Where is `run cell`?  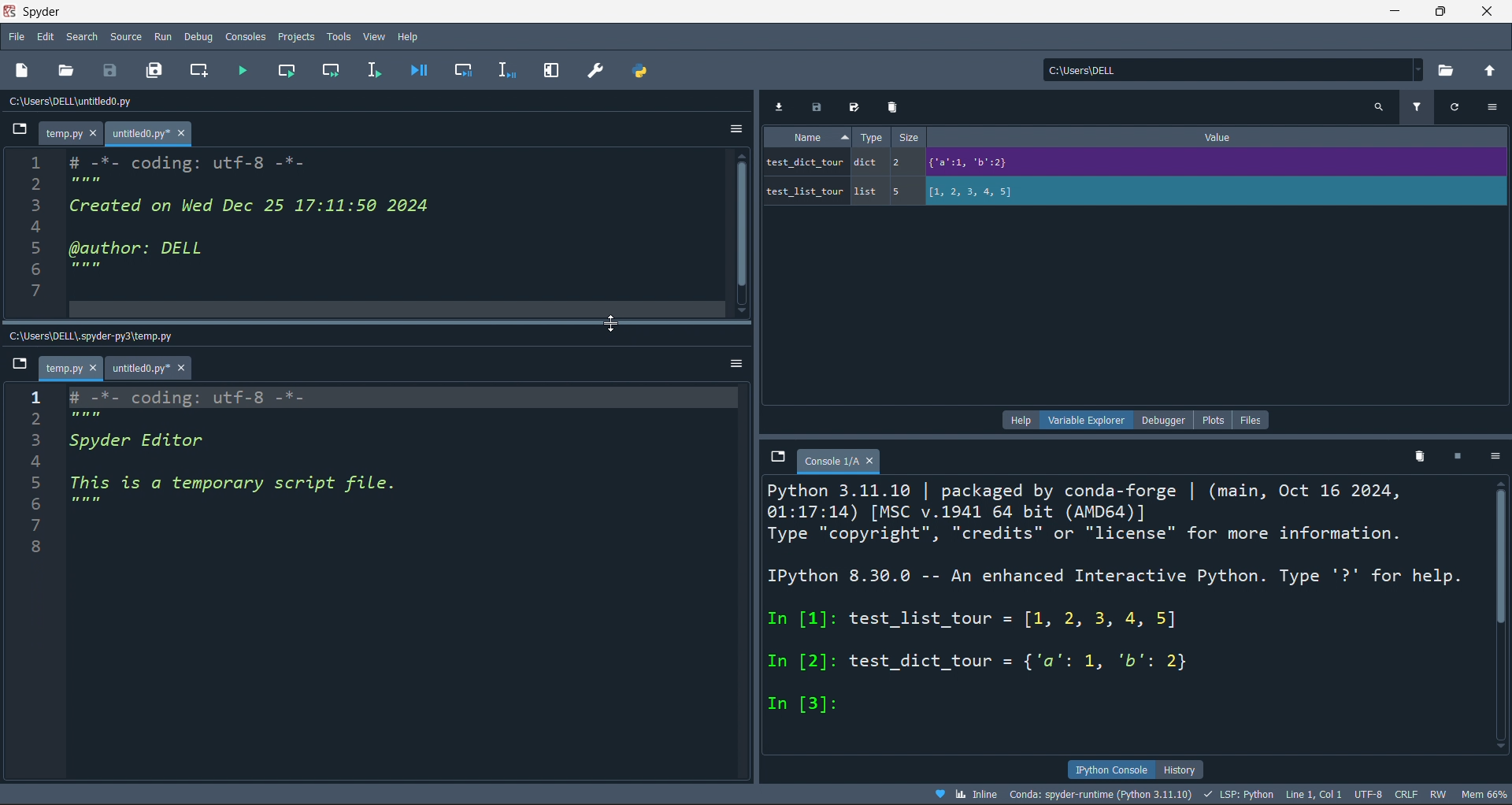 run cell is located at coordinates (287, 72).